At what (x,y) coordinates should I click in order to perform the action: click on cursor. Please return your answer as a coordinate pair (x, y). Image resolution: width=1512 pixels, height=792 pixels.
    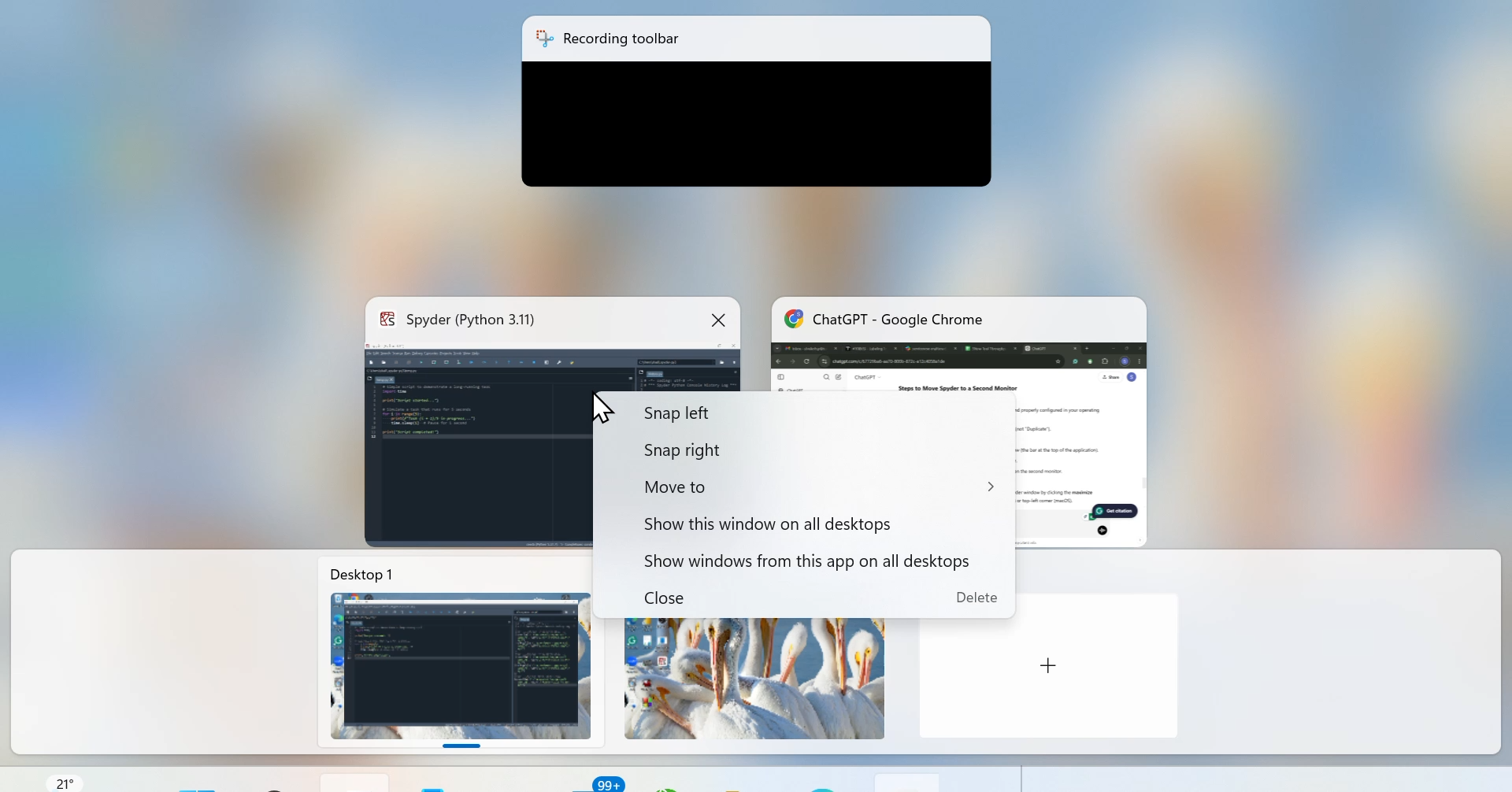
    Looking at the image, I should click on (601, 407).